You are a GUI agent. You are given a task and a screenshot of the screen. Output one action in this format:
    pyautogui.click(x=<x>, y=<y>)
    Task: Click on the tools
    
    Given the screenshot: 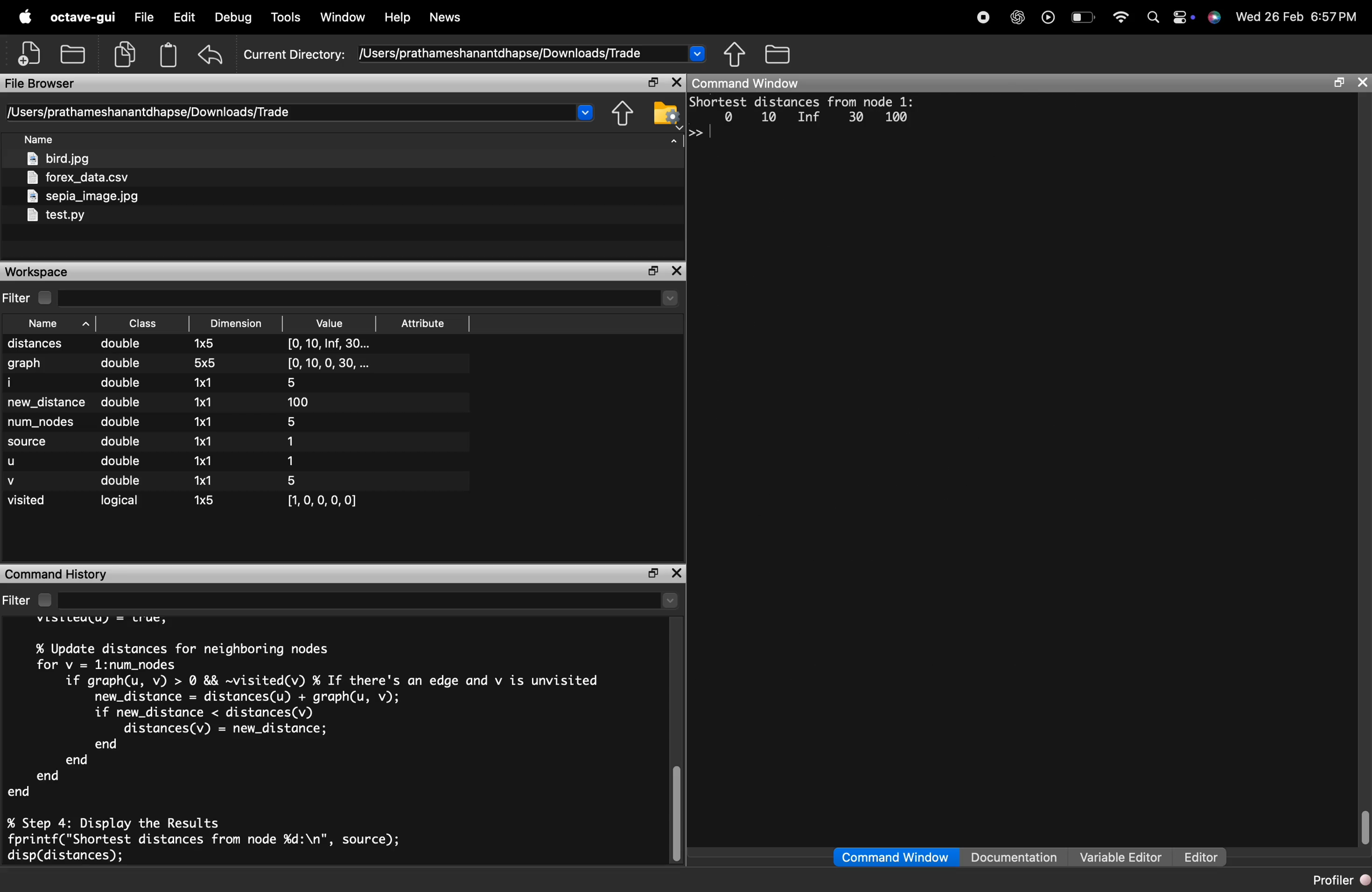 What is the action you would take?
    pyautogui.click(x=288, y=17)
    